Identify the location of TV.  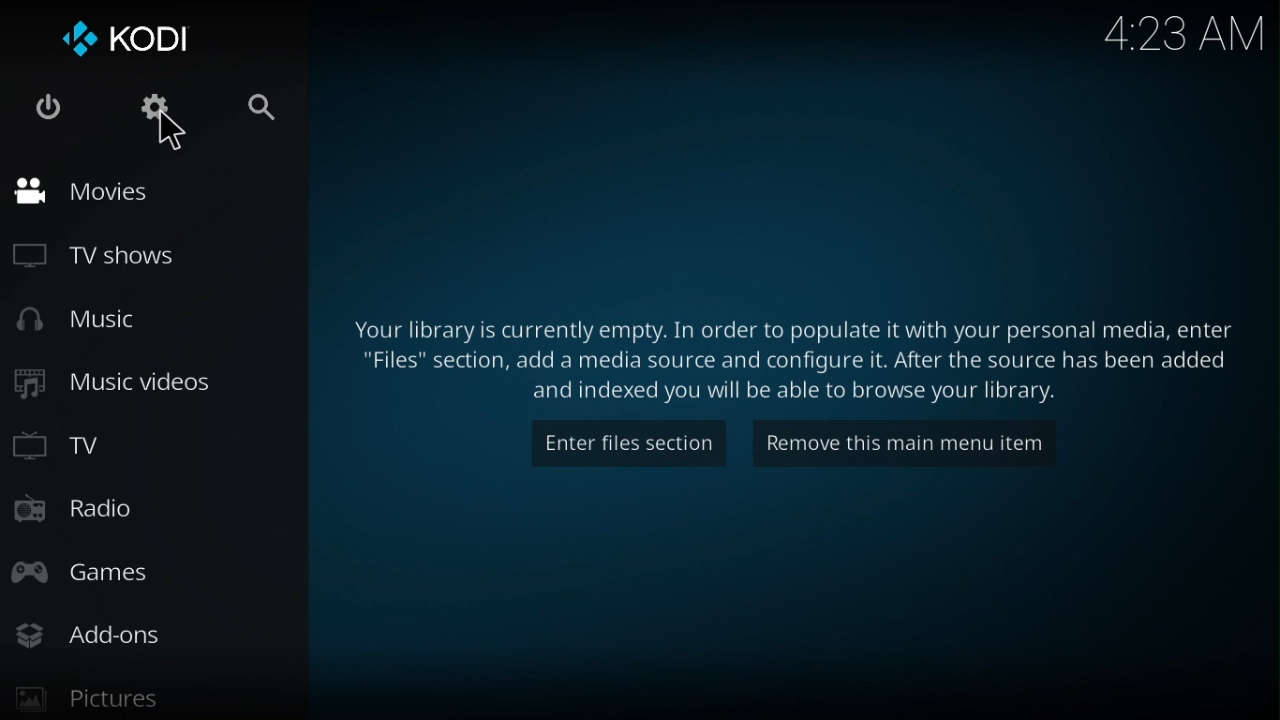
(91, 446).